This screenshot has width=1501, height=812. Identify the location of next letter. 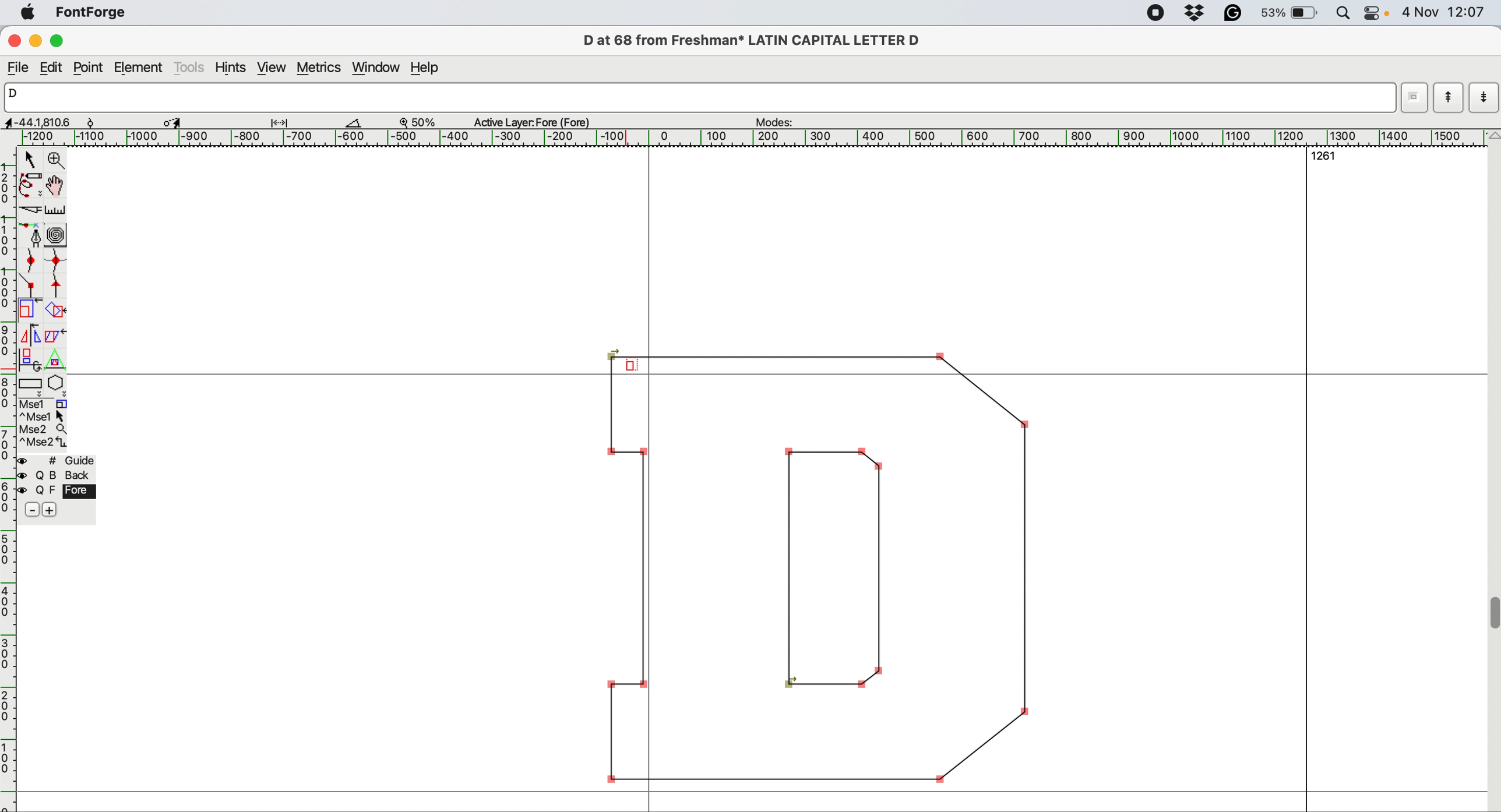
(1485, 99).